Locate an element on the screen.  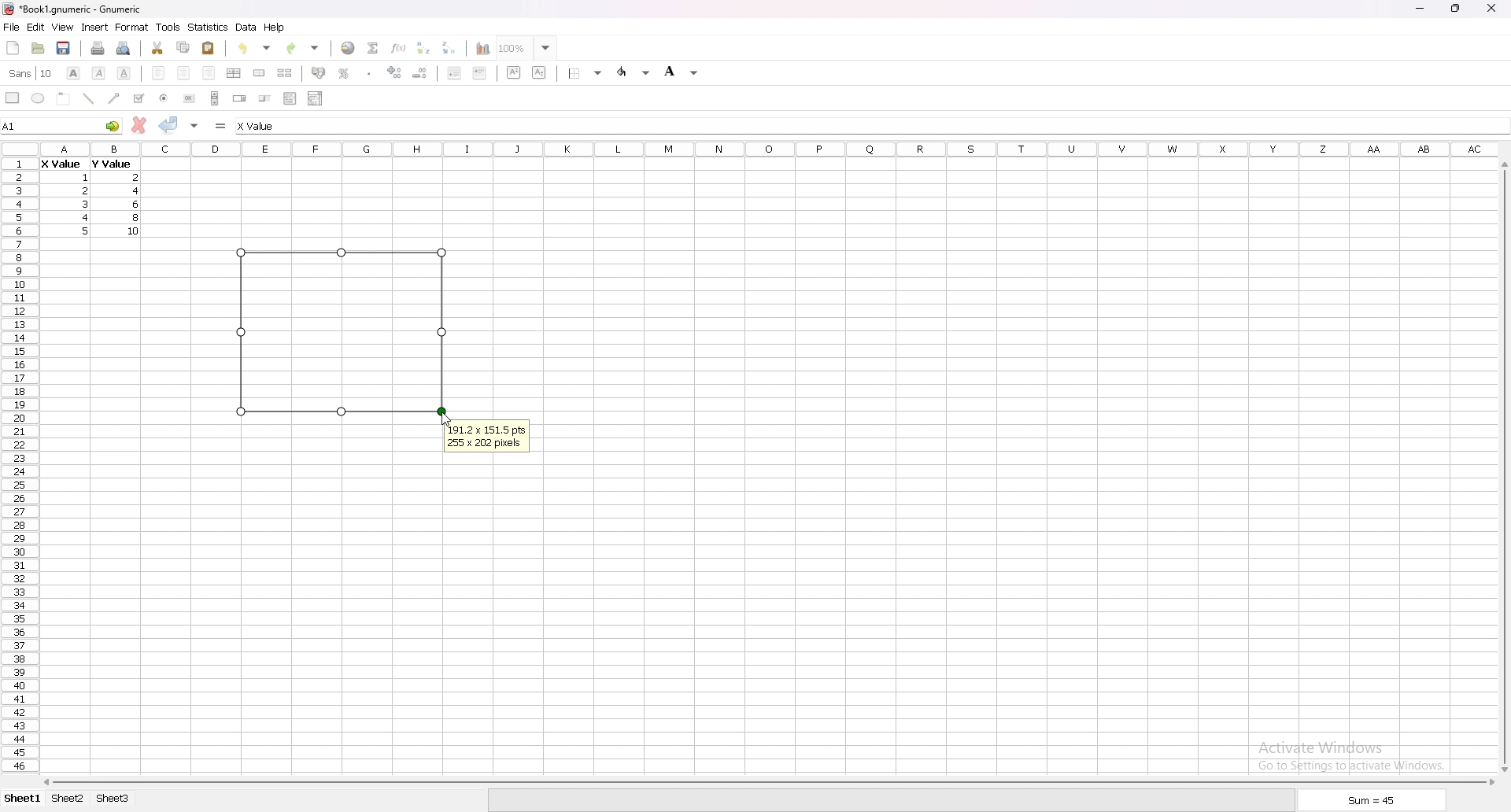
tickbox is located at coordinates (138, 98).